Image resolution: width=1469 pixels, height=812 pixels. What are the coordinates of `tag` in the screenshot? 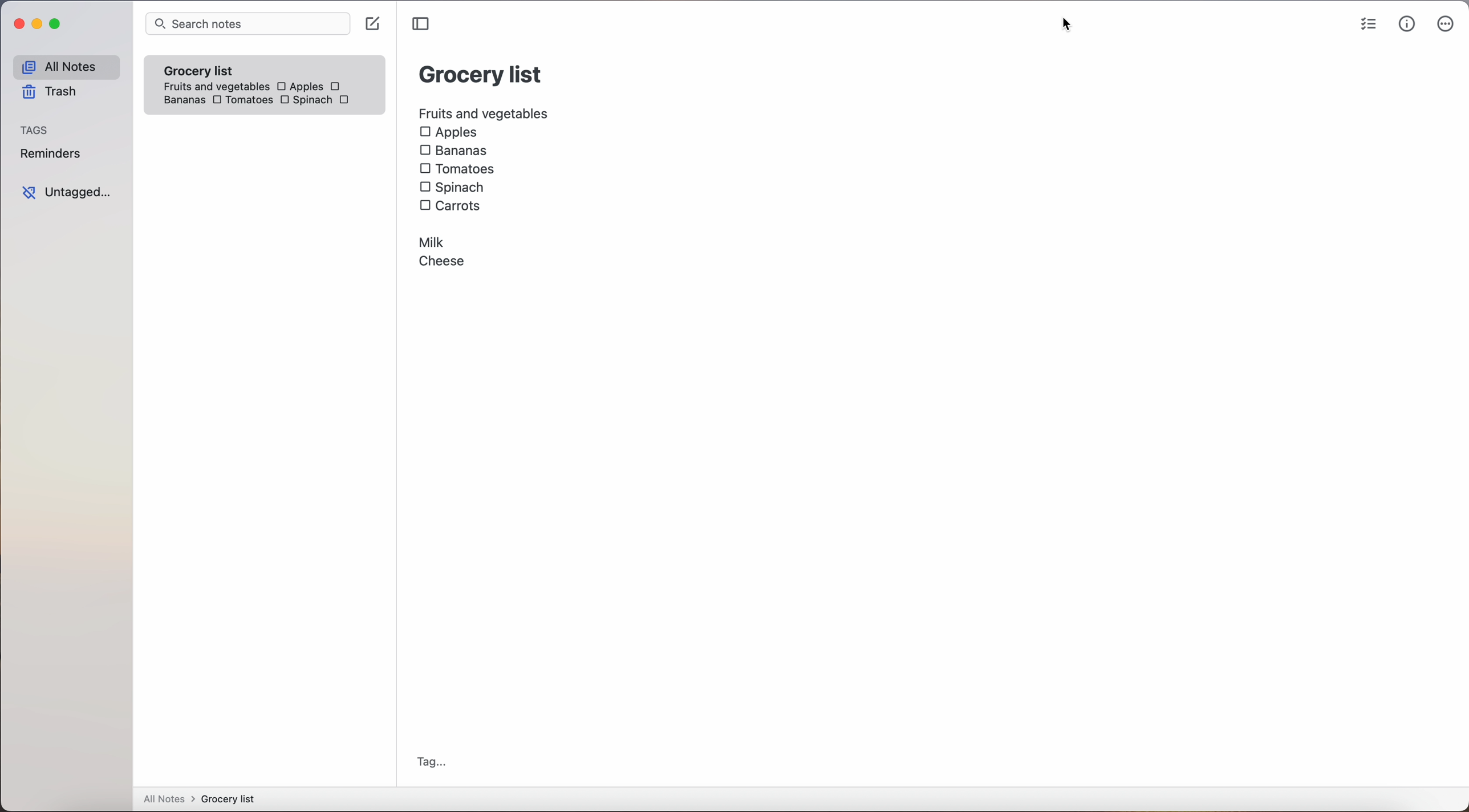 It's located at (433, 762).